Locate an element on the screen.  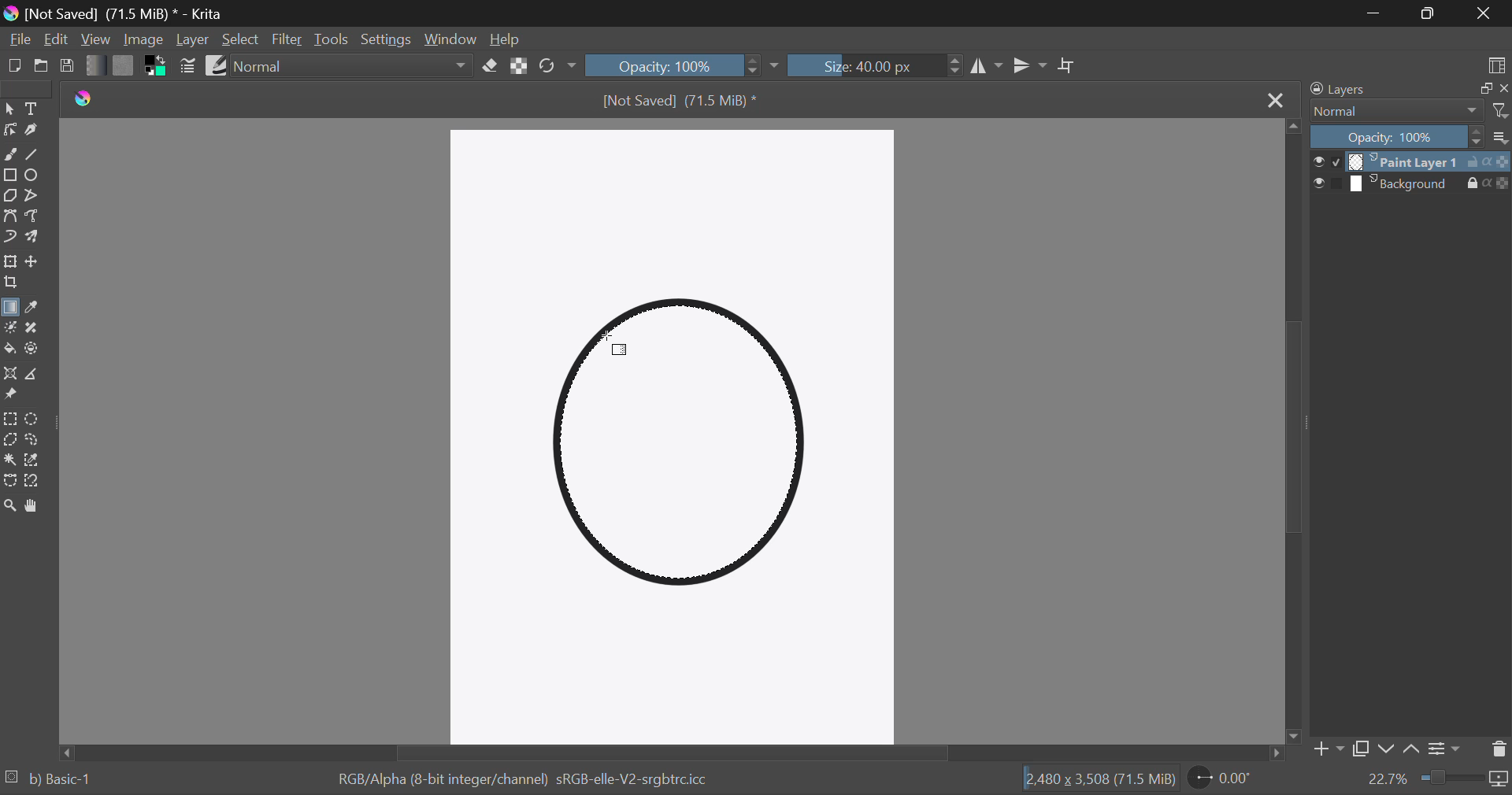
Colorize Mask Tool is located at coordinates (10, 331).